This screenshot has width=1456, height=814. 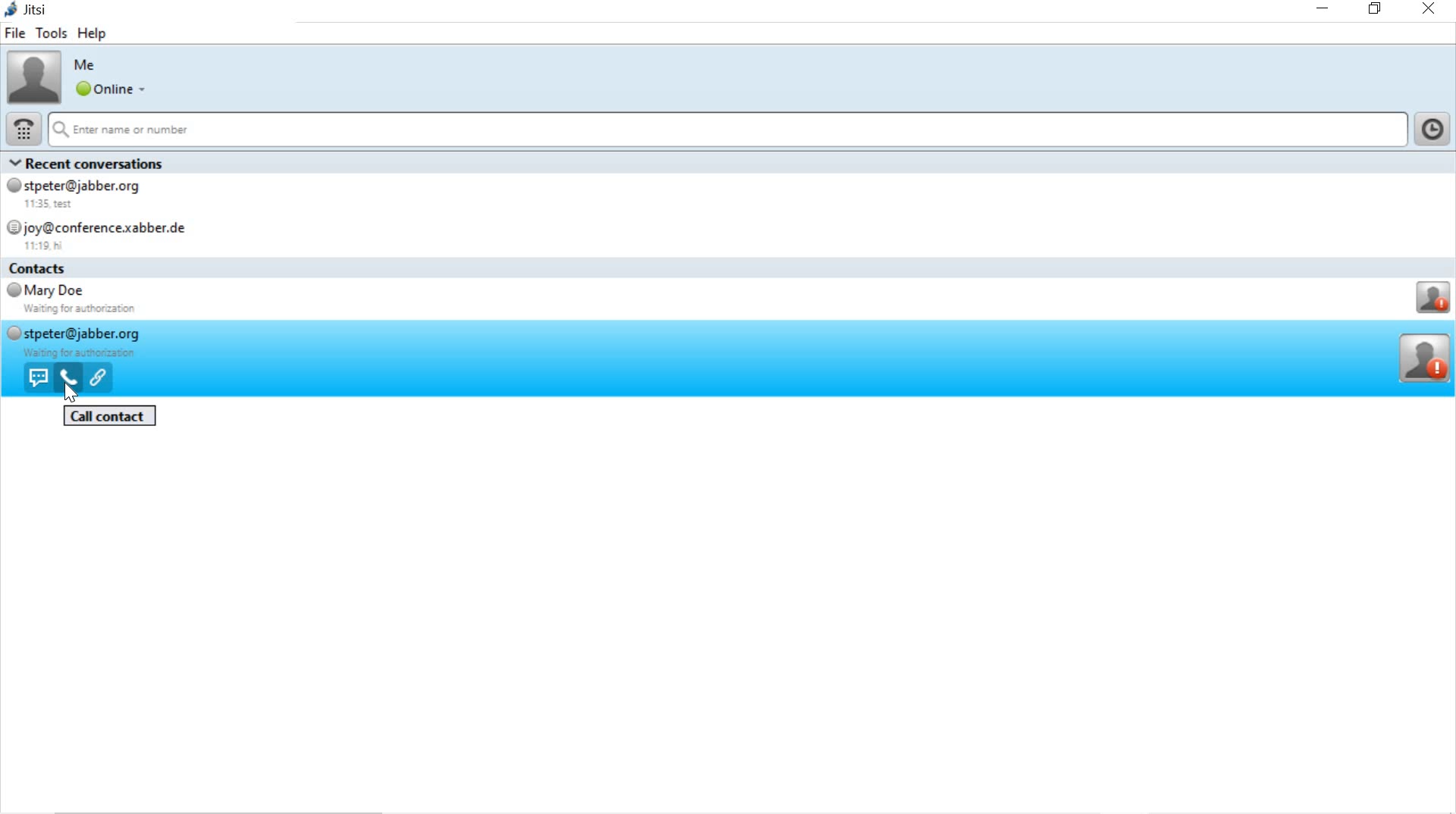 What do you see at coordinates (100, 379) in the screenshot?
I see `open webpage` at bounding box center [100, 379].